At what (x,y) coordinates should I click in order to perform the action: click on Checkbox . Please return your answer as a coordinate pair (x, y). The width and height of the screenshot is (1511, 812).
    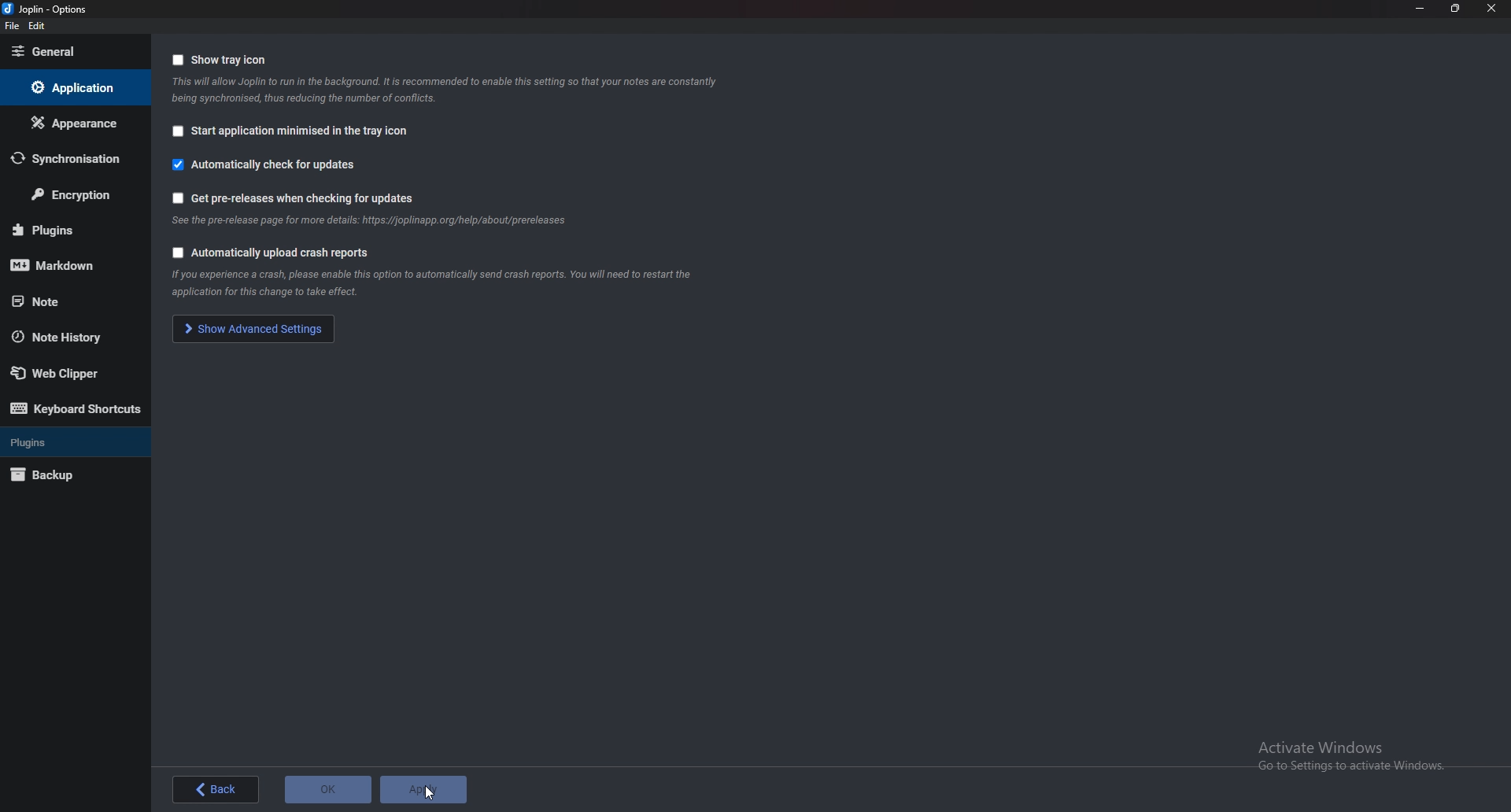
    Looking at the image, I should click on (175, 164).